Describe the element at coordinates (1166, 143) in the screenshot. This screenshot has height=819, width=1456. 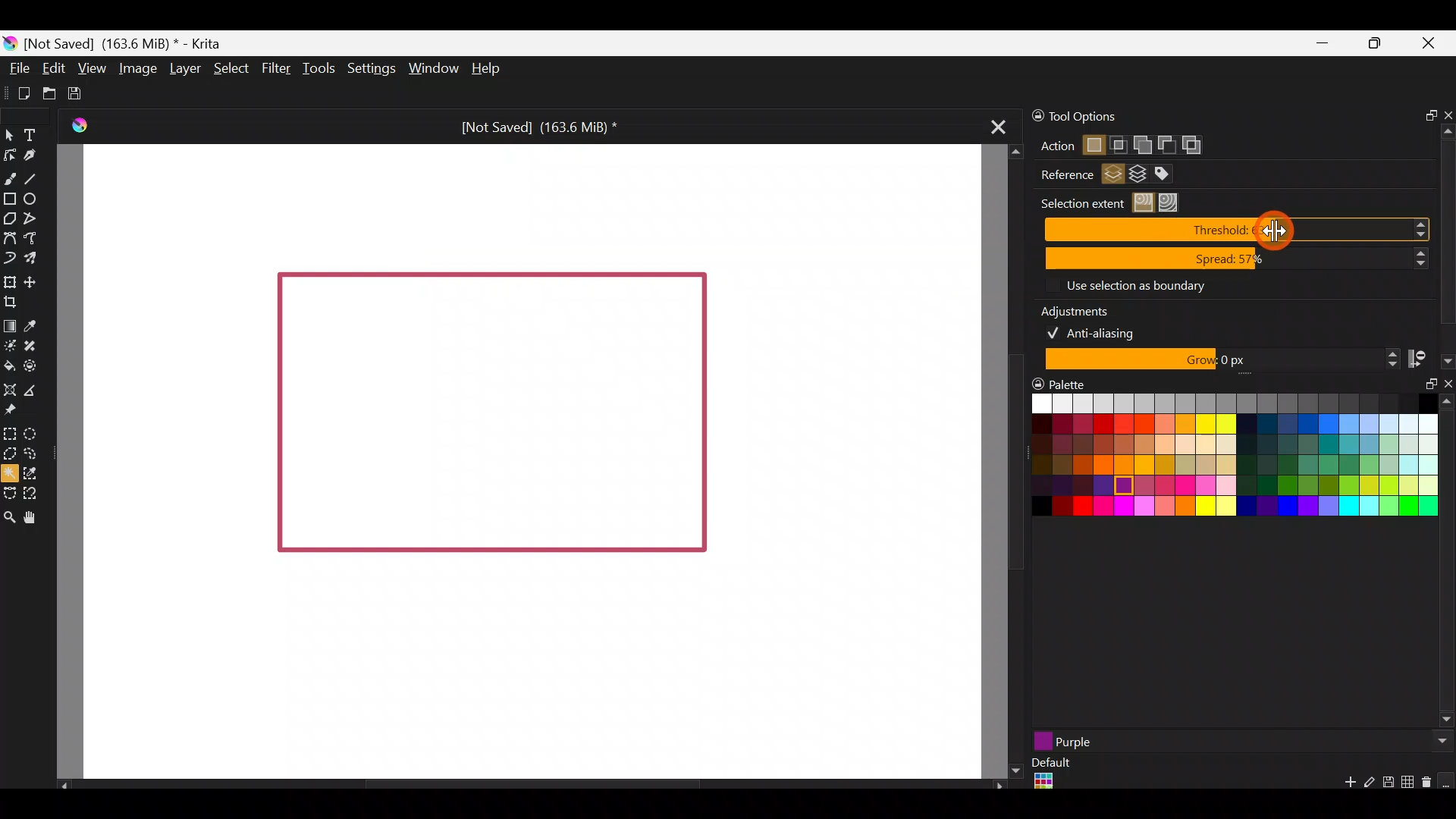
I see `Subtract` at that location.